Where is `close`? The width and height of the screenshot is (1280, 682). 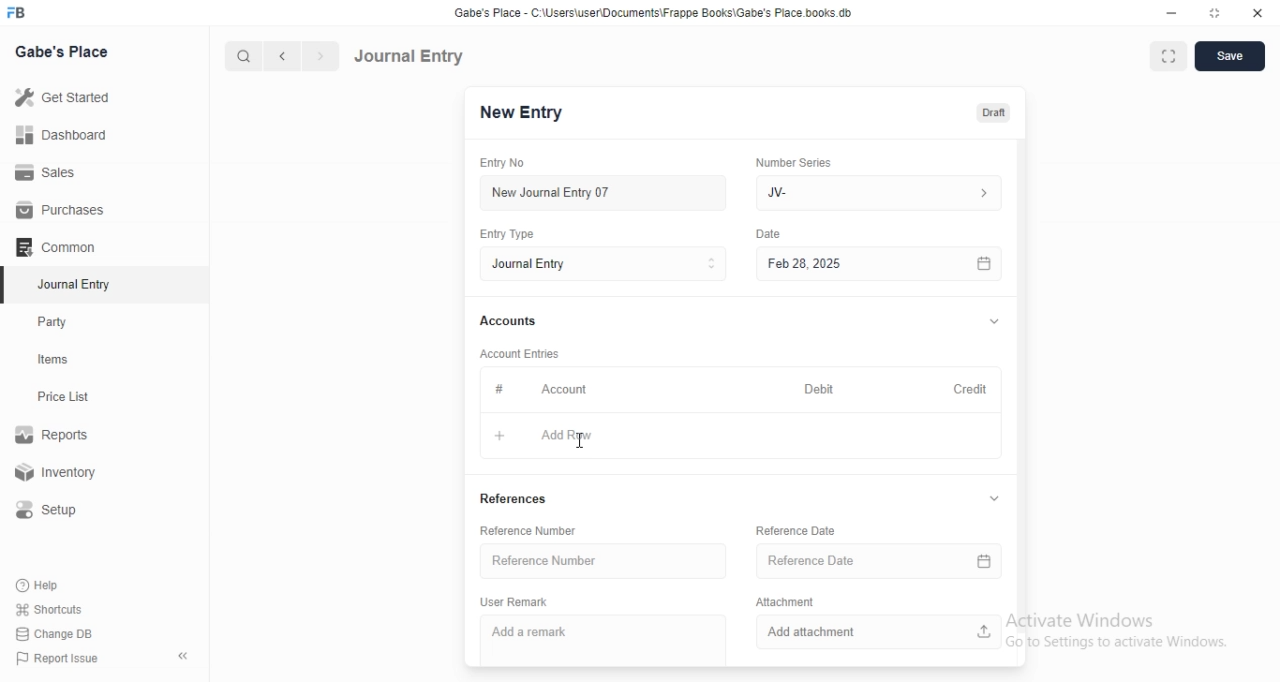
close is located at coordinates (1258, 12).